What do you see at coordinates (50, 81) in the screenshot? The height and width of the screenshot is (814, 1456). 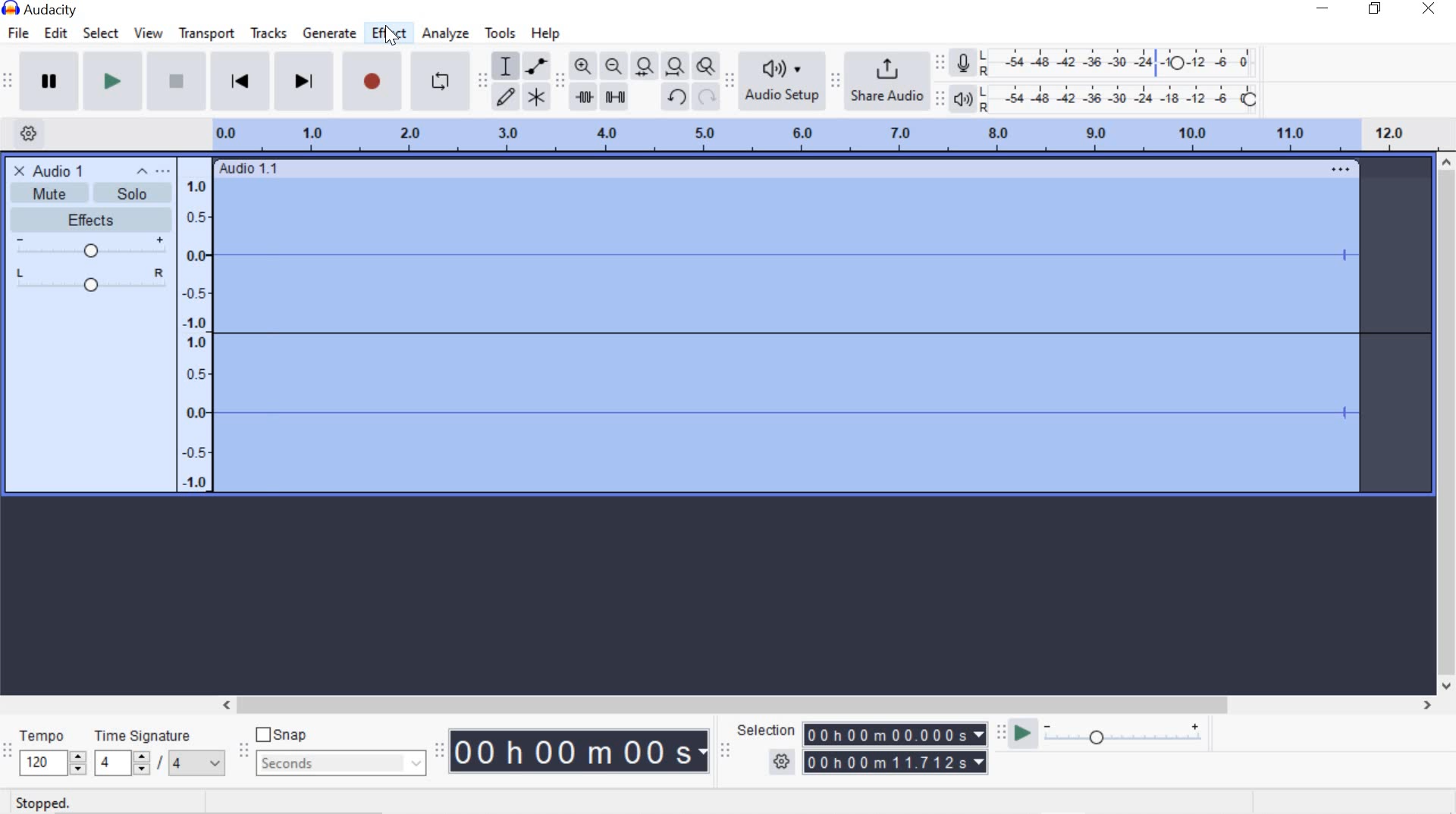 I see `Pause` at bounding box center [50, 81].